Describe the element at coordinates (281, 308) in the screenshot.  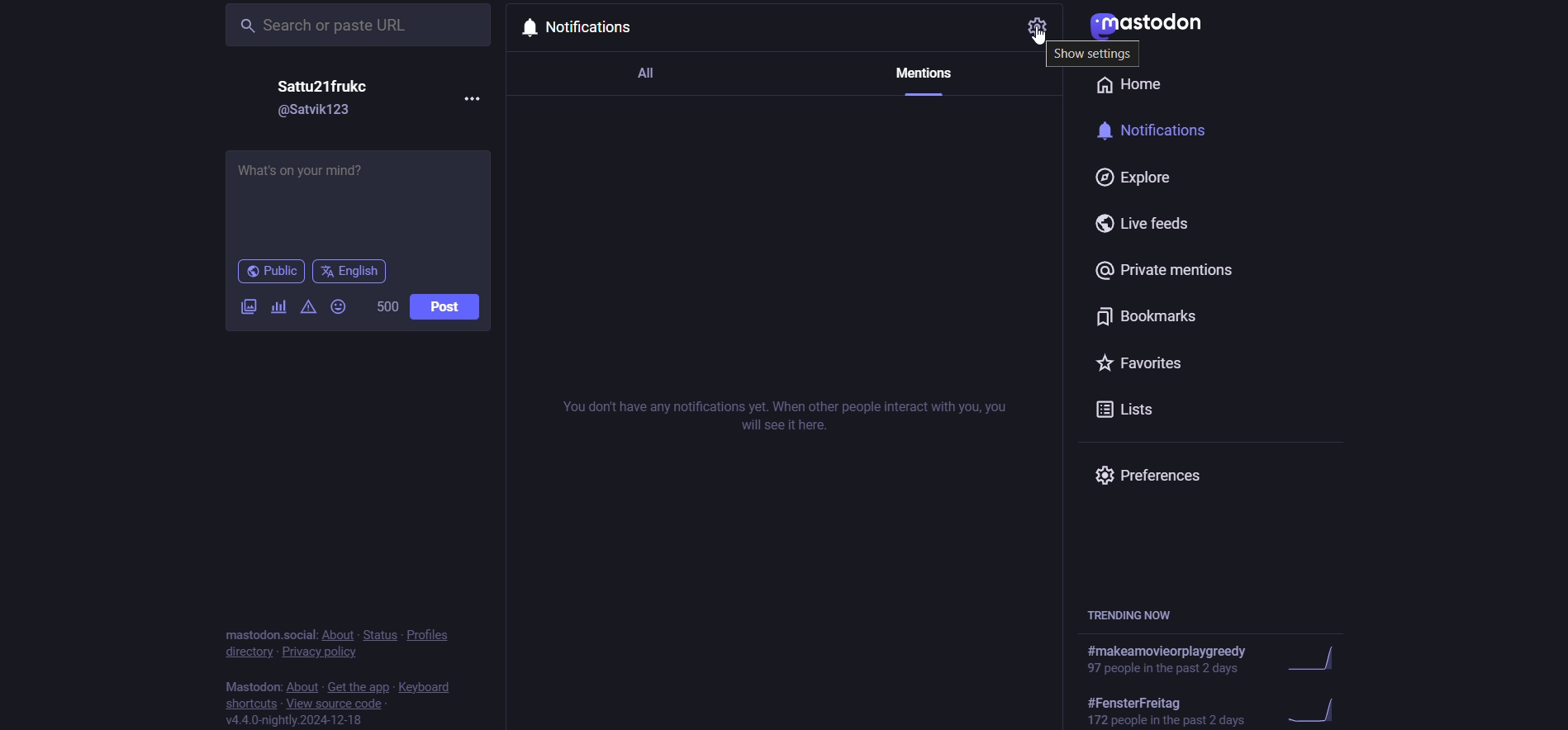
I see `add a poll` at that location.